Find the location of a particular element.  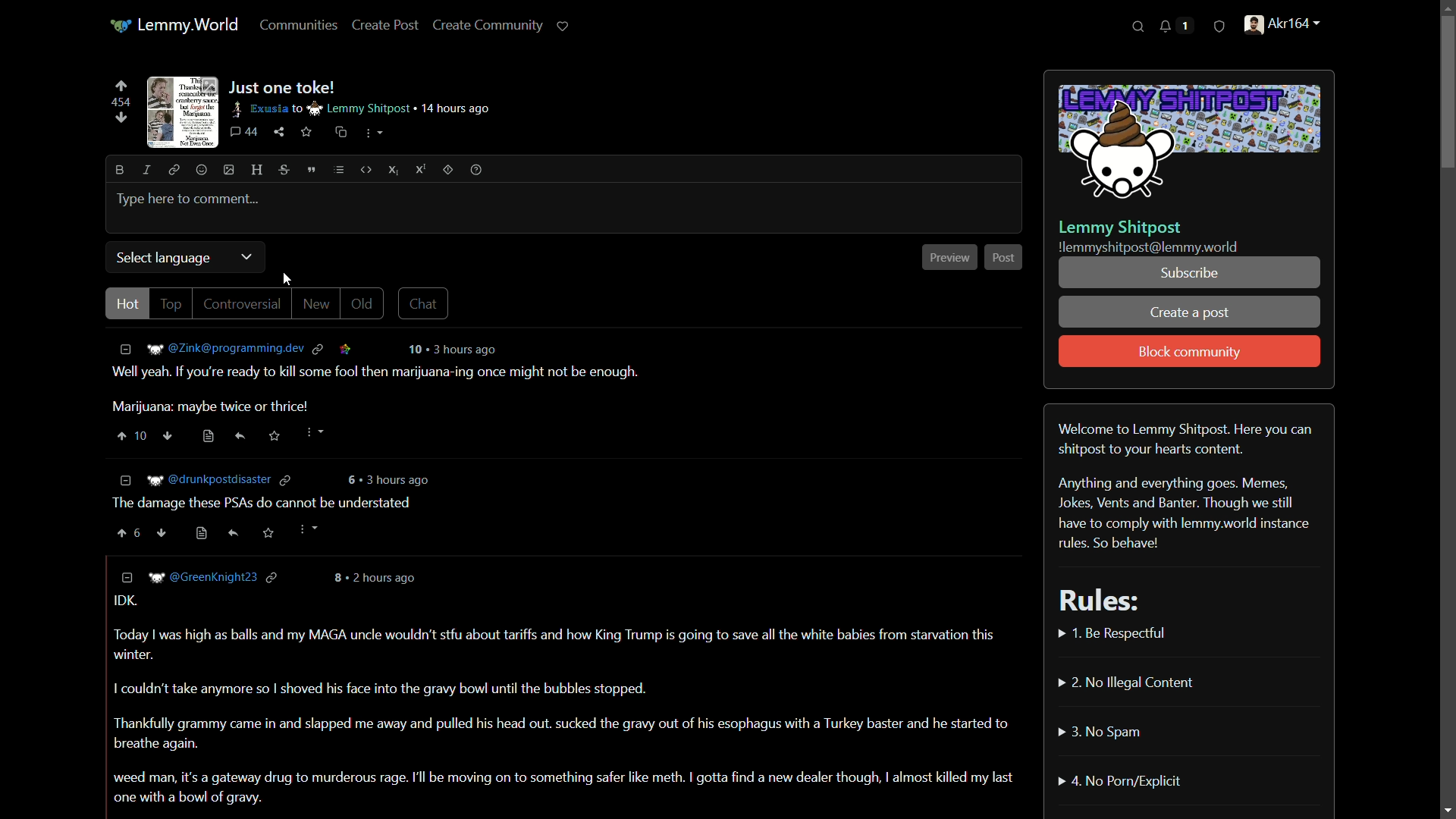

454 is located at coordinates (119, 102).